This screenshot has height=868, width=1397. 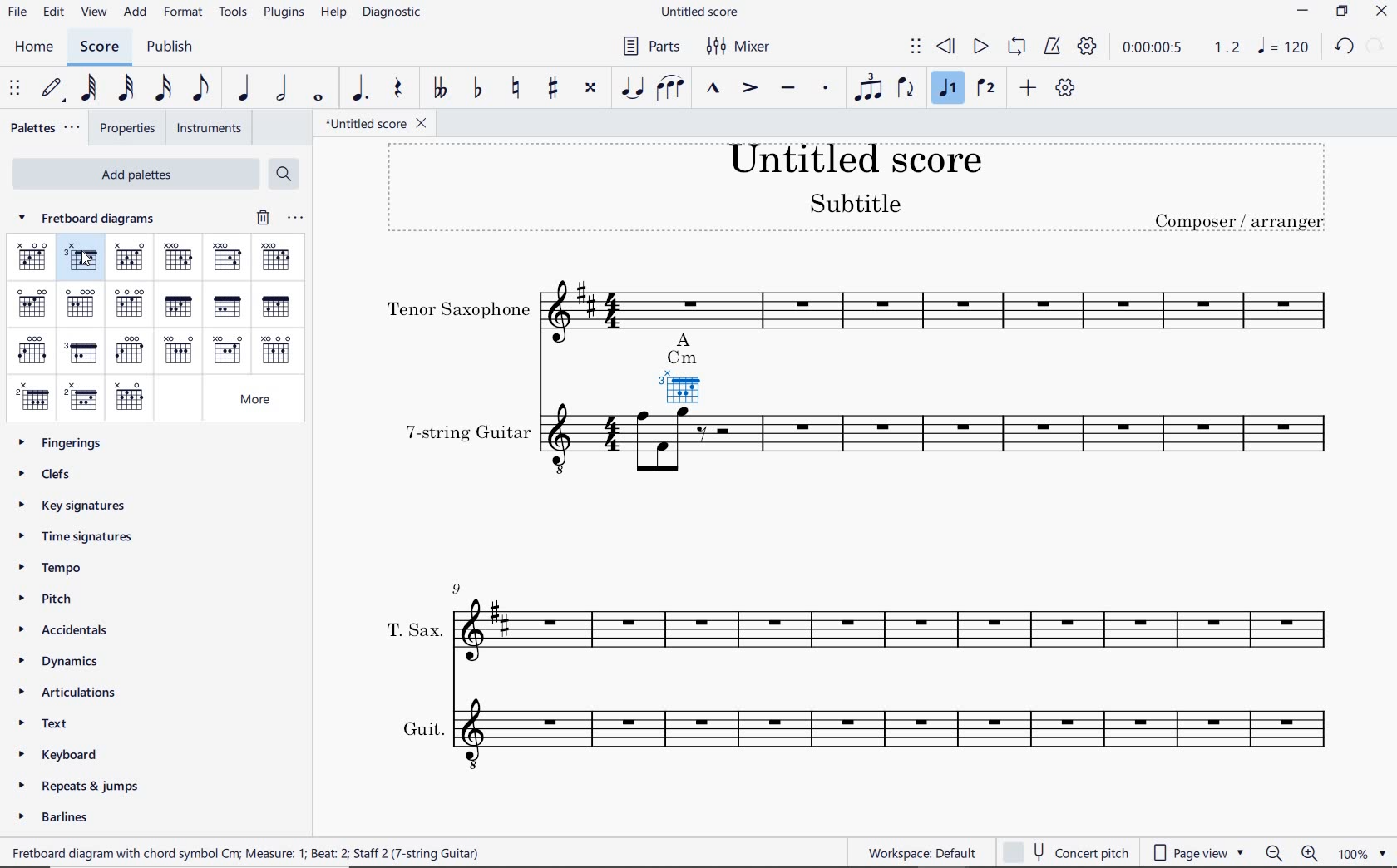 I want to click on PALETTES, so click(x=44, y=128).